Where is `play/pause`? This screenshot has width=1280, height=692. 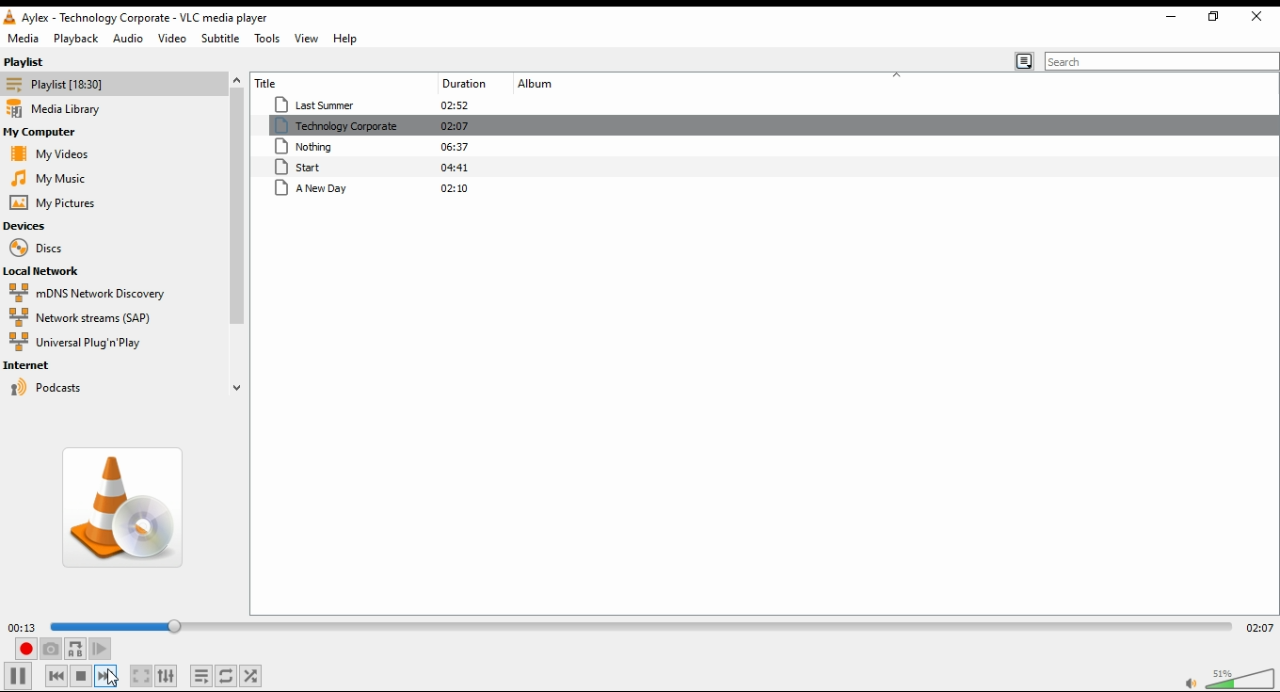
play/pause is located at coordinates (24, 678).